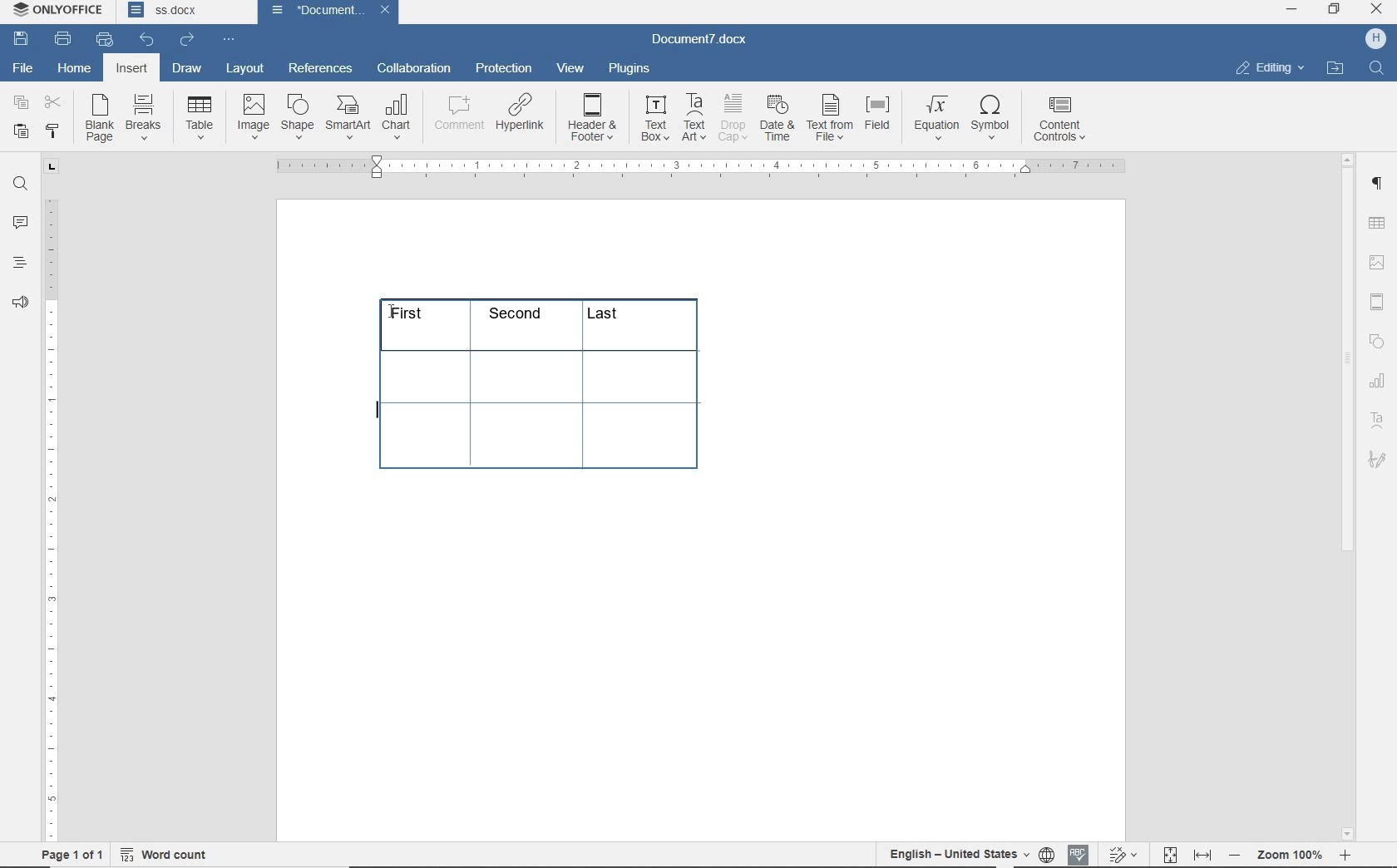 The height and width of the screenshot is (868, 1397). What do you see at coordinates (1380, 423) in the screenshot?
I see `text art` at bounding box center [1380, 423].